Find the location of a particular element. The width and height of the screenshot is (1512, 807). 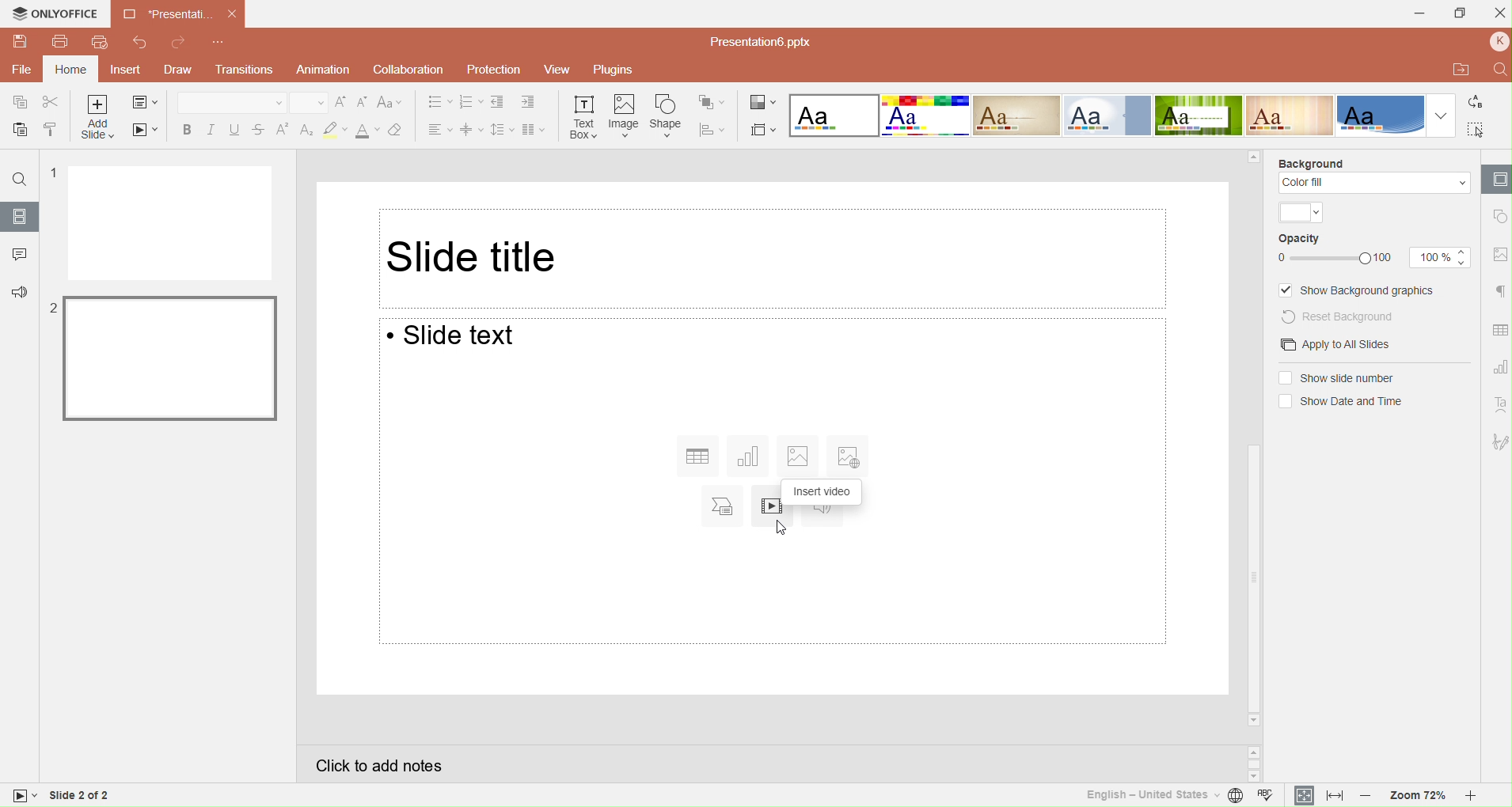

Opacity is located at coordinates (1298, 239).